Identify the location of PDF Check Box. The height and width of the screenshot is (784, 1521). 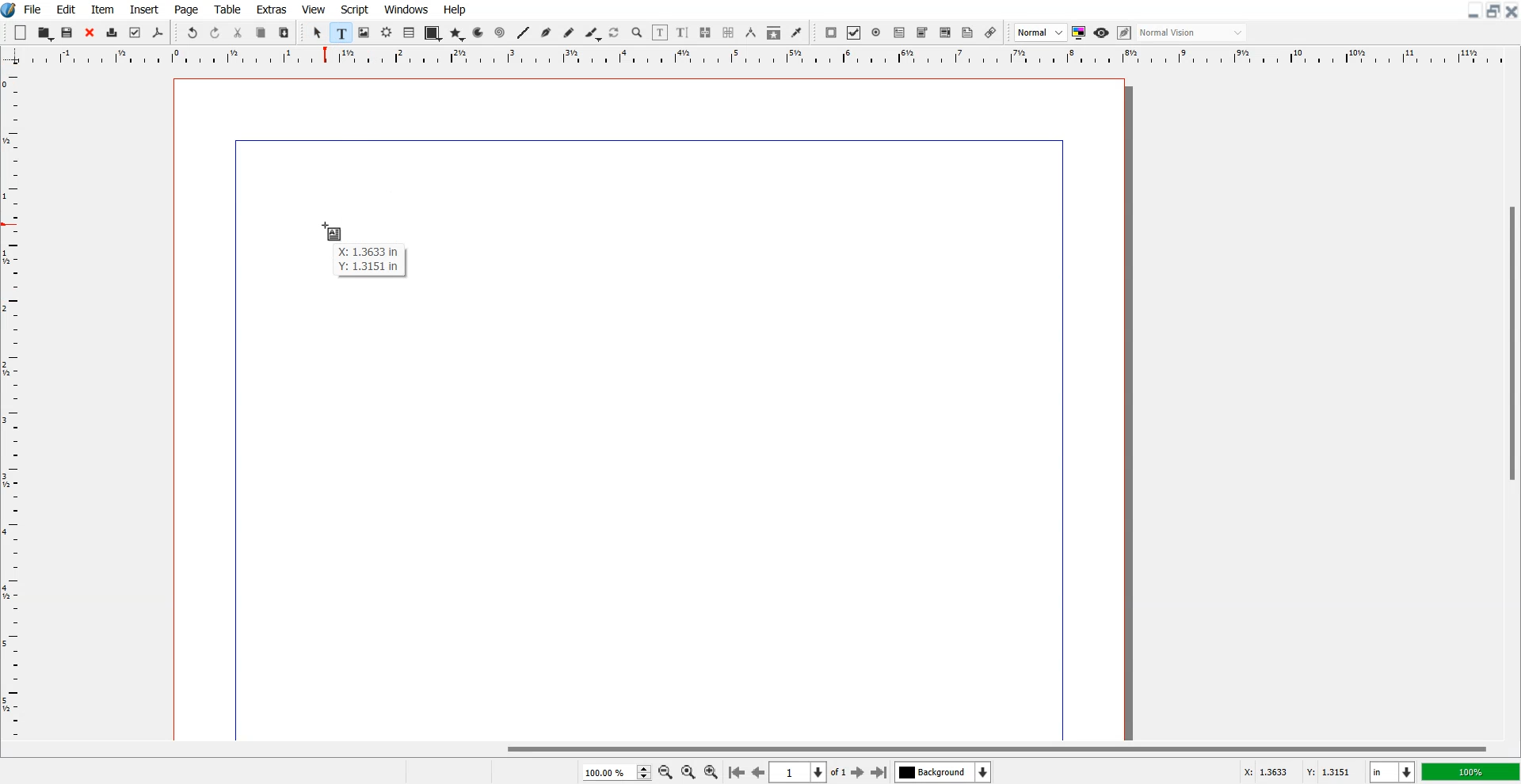
(854, 33).